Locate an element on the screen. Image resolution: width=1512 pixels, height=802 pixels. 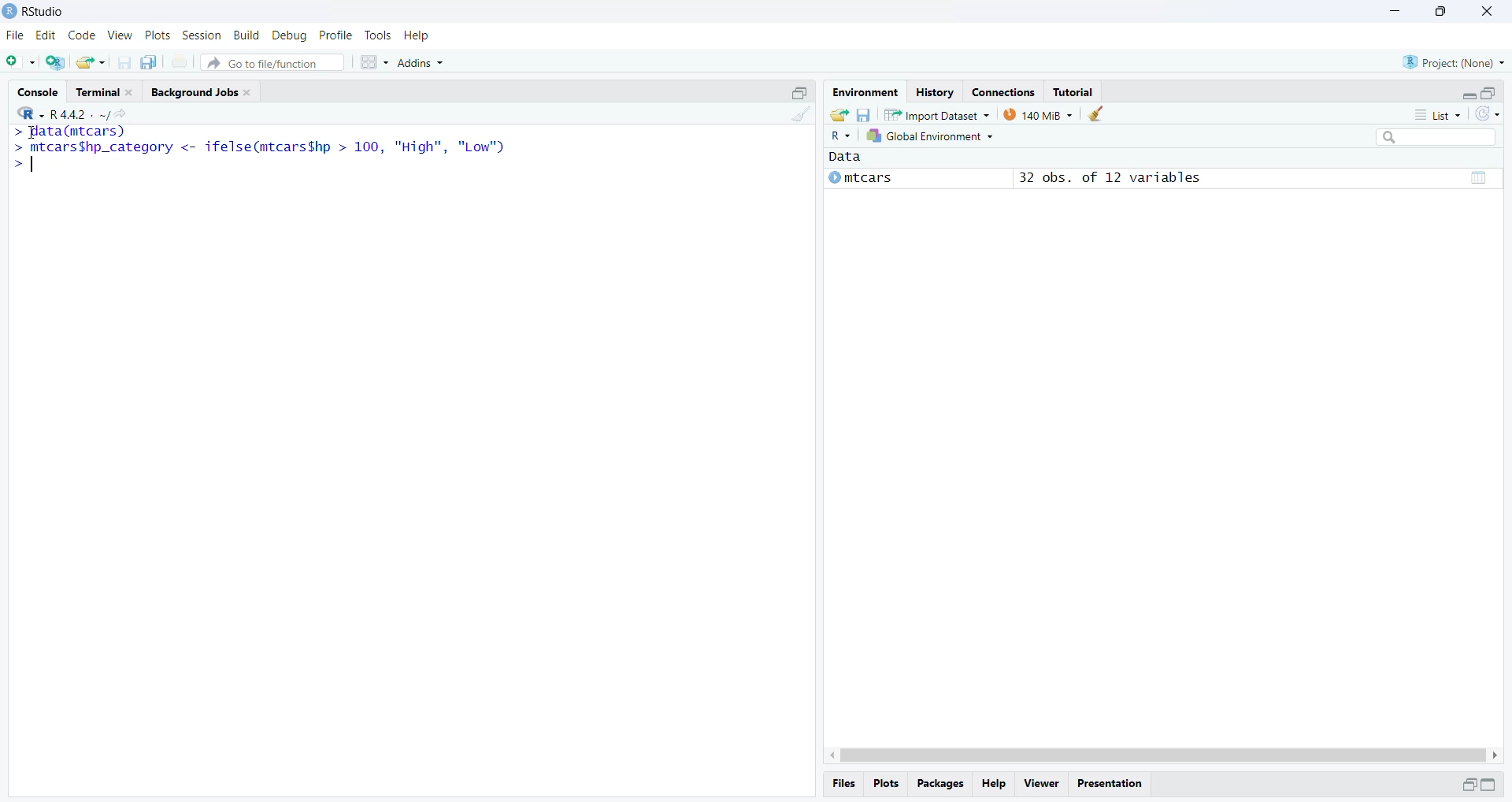
Background Jobs is located at coordinates (204, 92).